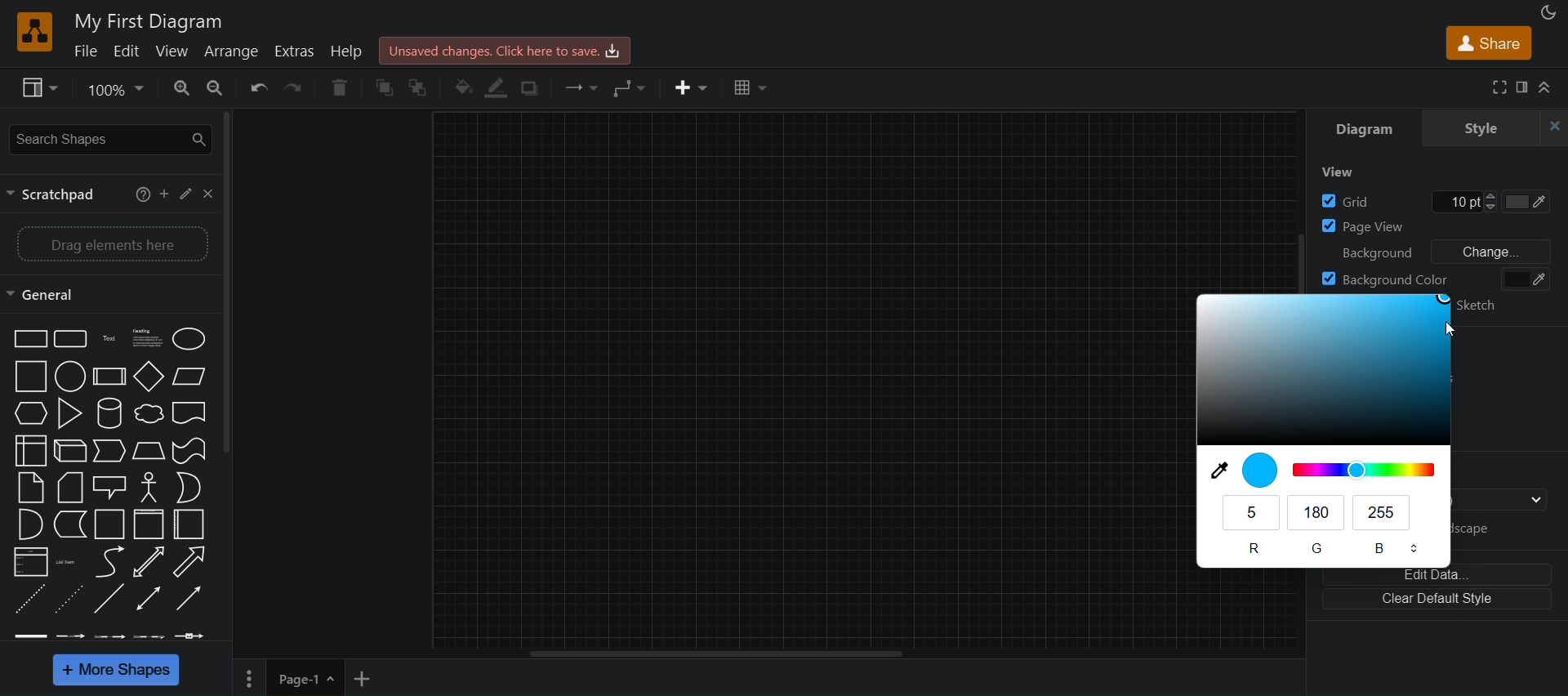  What do you see at coordinates (229, 286) in the screenshot?
I see `vertical scroll bar` at bounding box center [229, 286].